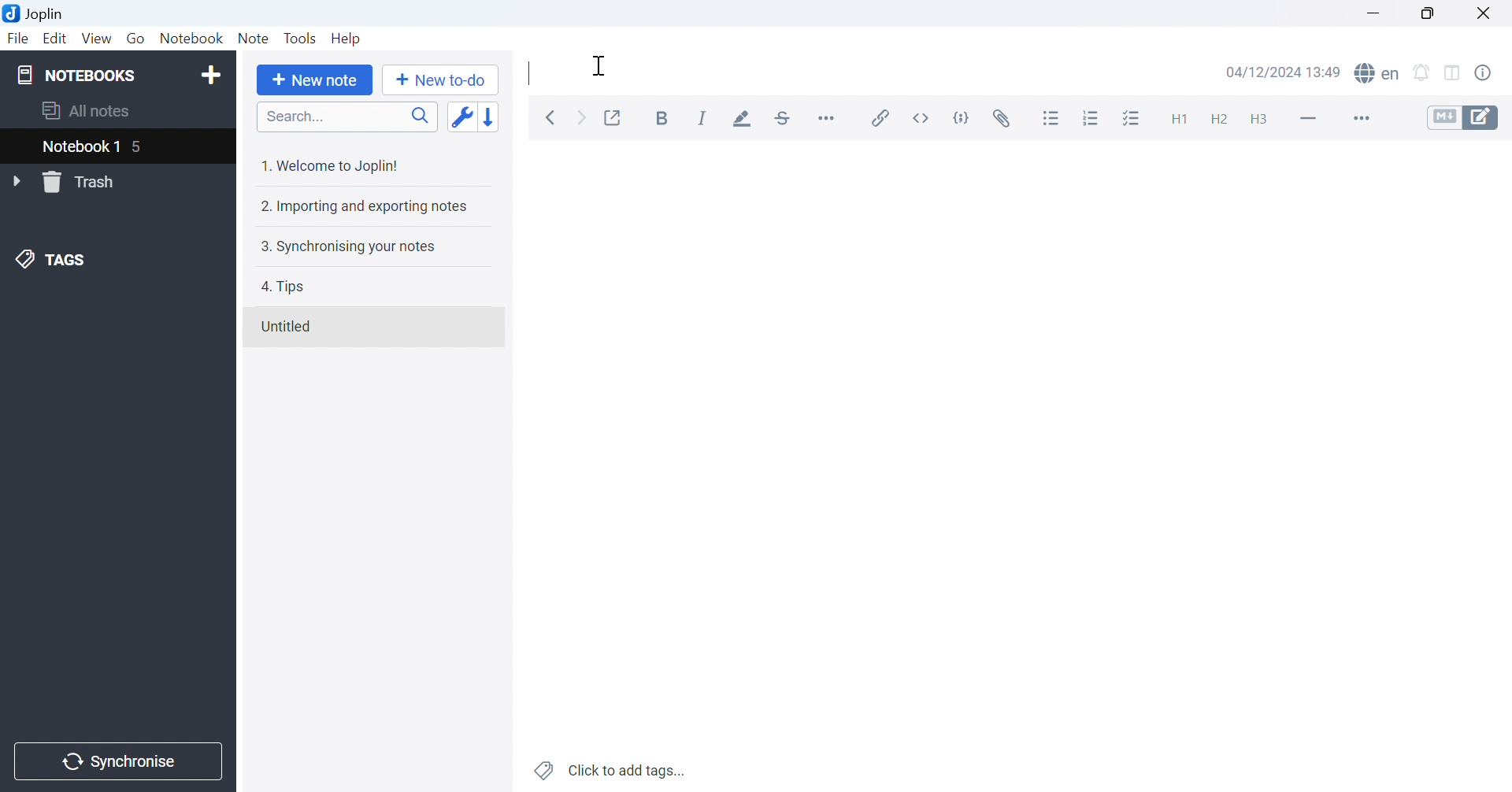  Describe the element at coordinates (1453, 73) in the screenshot. I see `Toggle editor layout` at that location.